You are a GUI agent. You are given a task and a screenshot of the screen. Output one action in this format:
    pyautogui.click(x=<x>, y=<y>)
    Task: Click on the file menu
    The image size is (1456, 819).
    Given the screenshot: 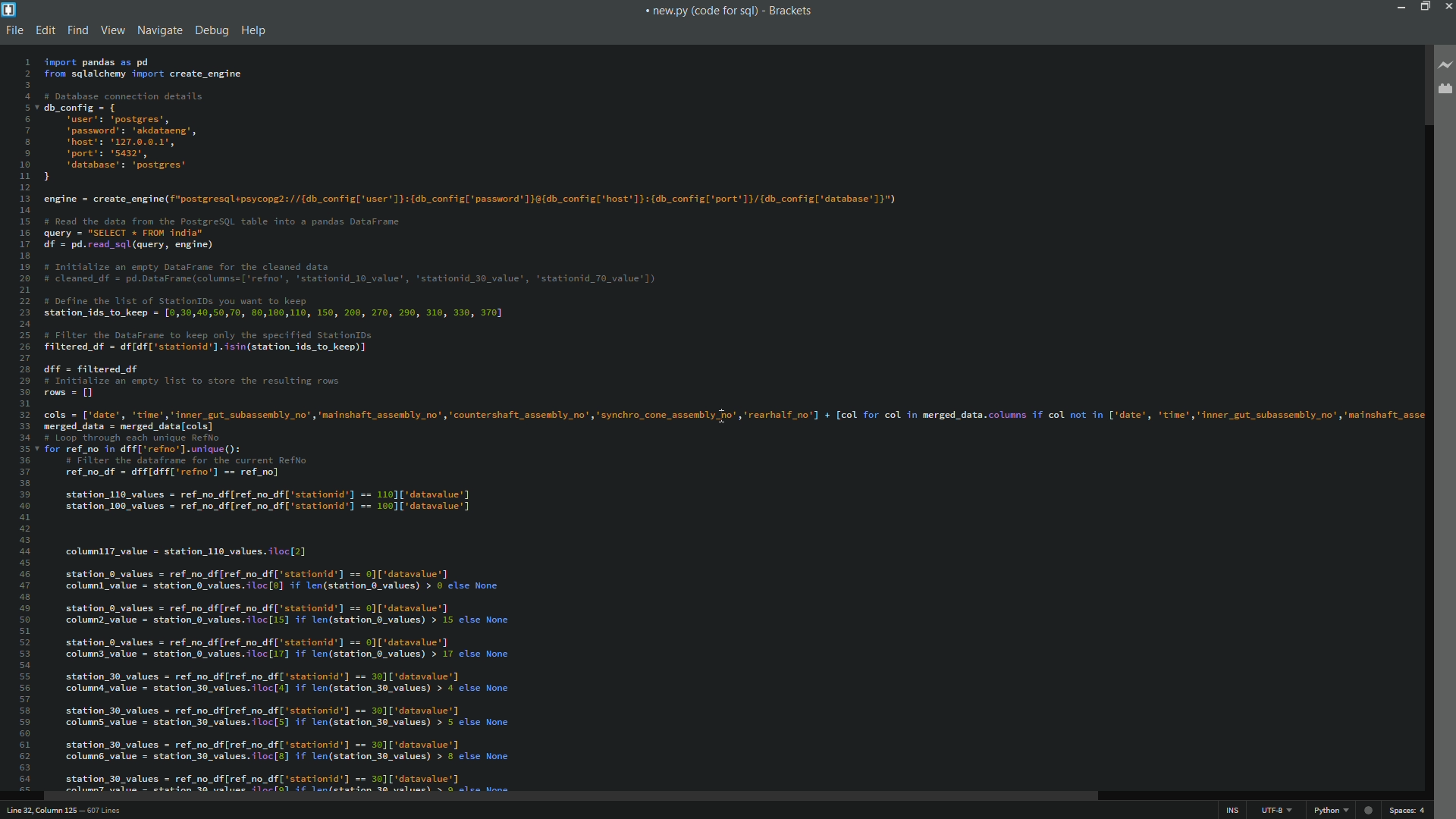 What is the action you would take?
    pyautogui.click(x=15, y=30)
    